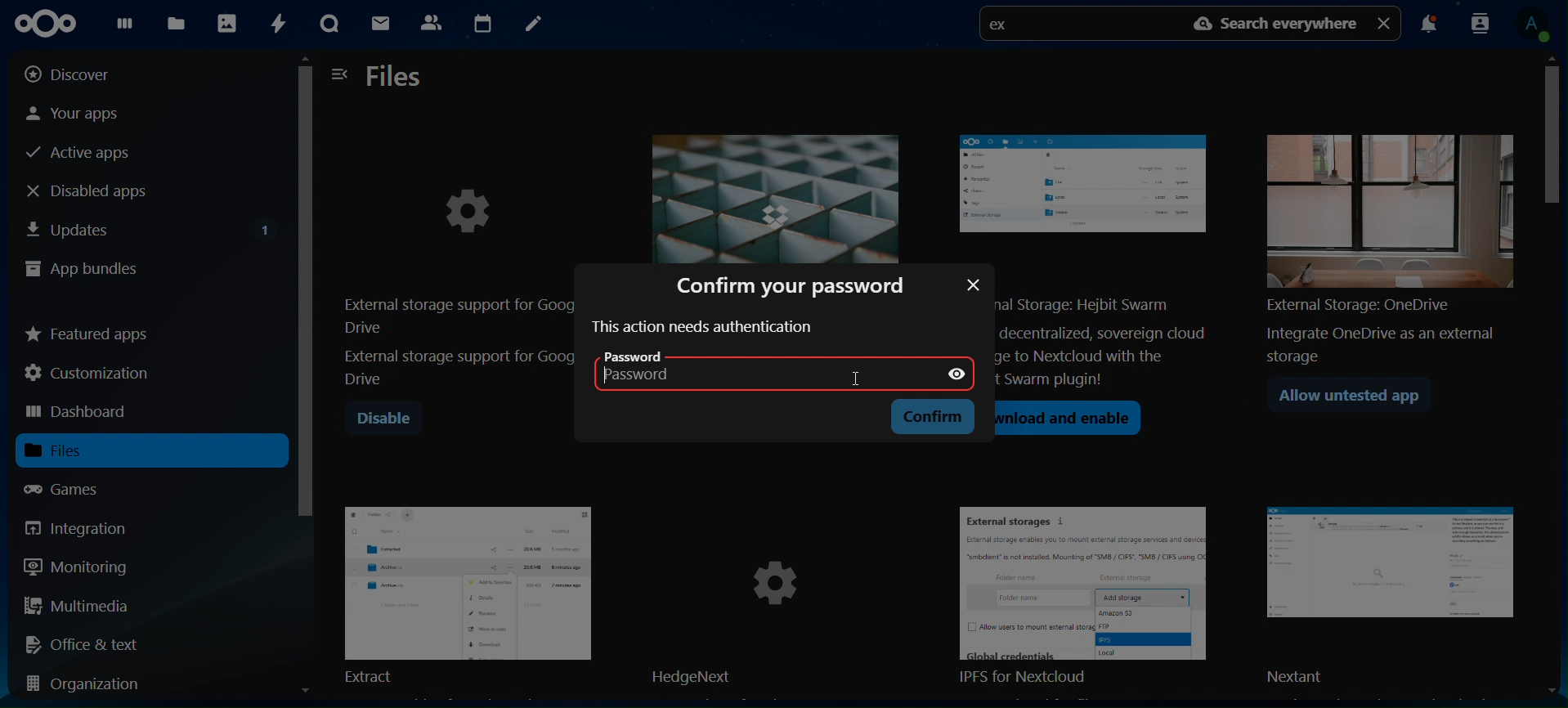 This screenshot has height=708, width=1568. What do you see at coordinates (1558, 374) in the screenshot?
I see `scrollbar` at bounding box center [1558, 374].